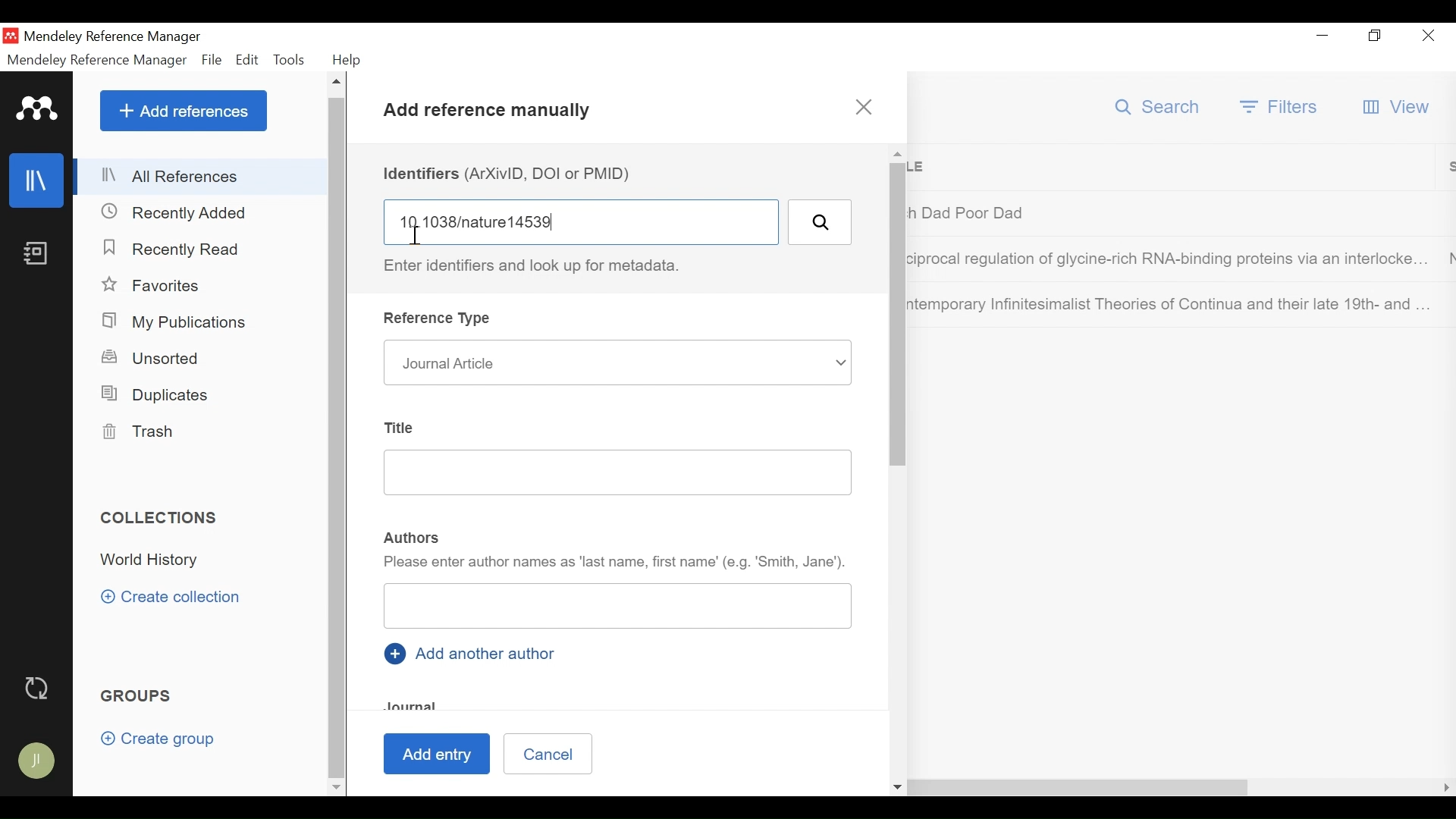  What do you see at coordinates (1375, 37) in the screenshot?
I see `Restore` at bounding box center [1375, 37].